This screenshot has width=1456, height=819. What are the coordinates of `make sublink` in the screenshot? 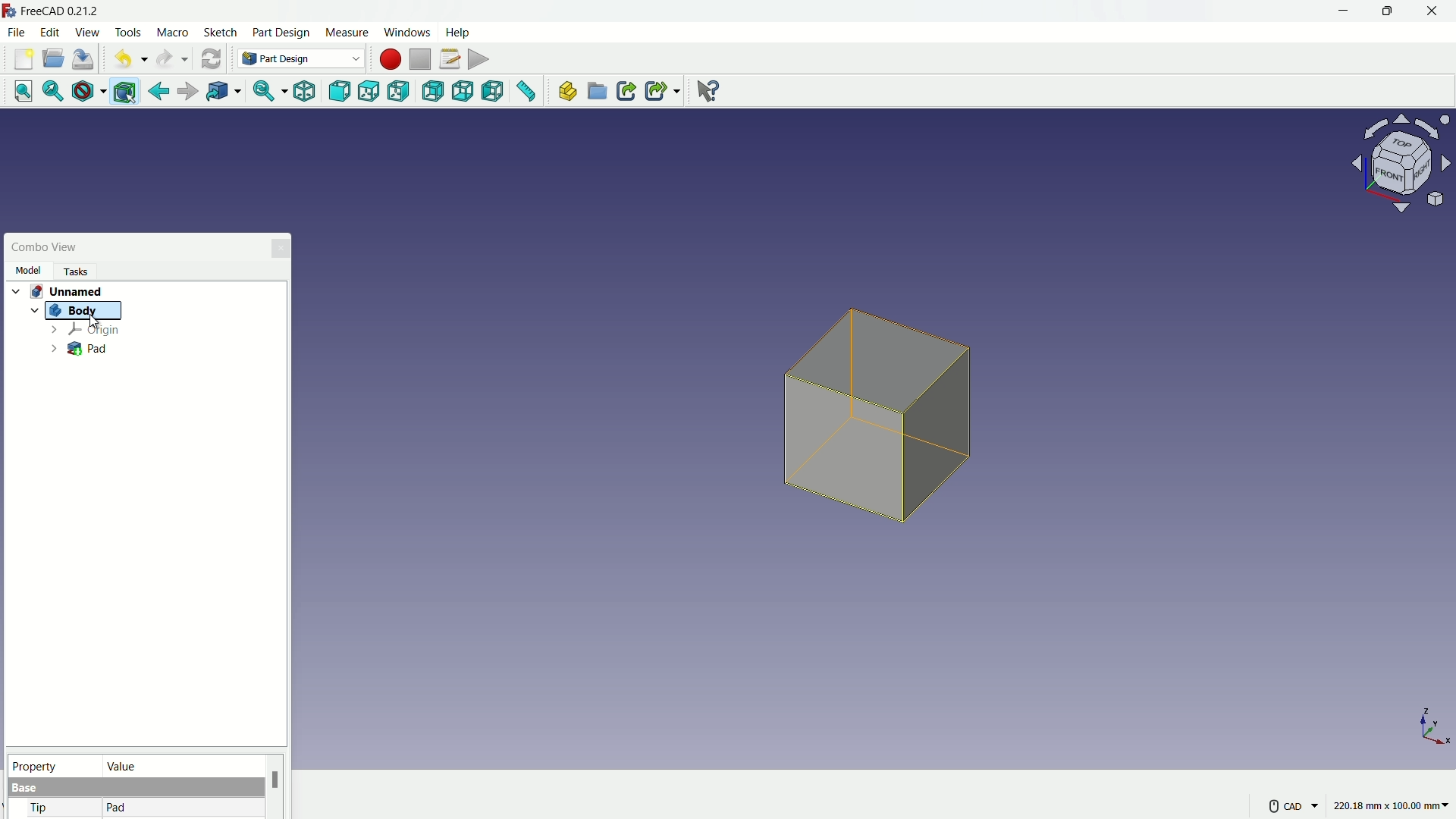 It's located at (663, 91).